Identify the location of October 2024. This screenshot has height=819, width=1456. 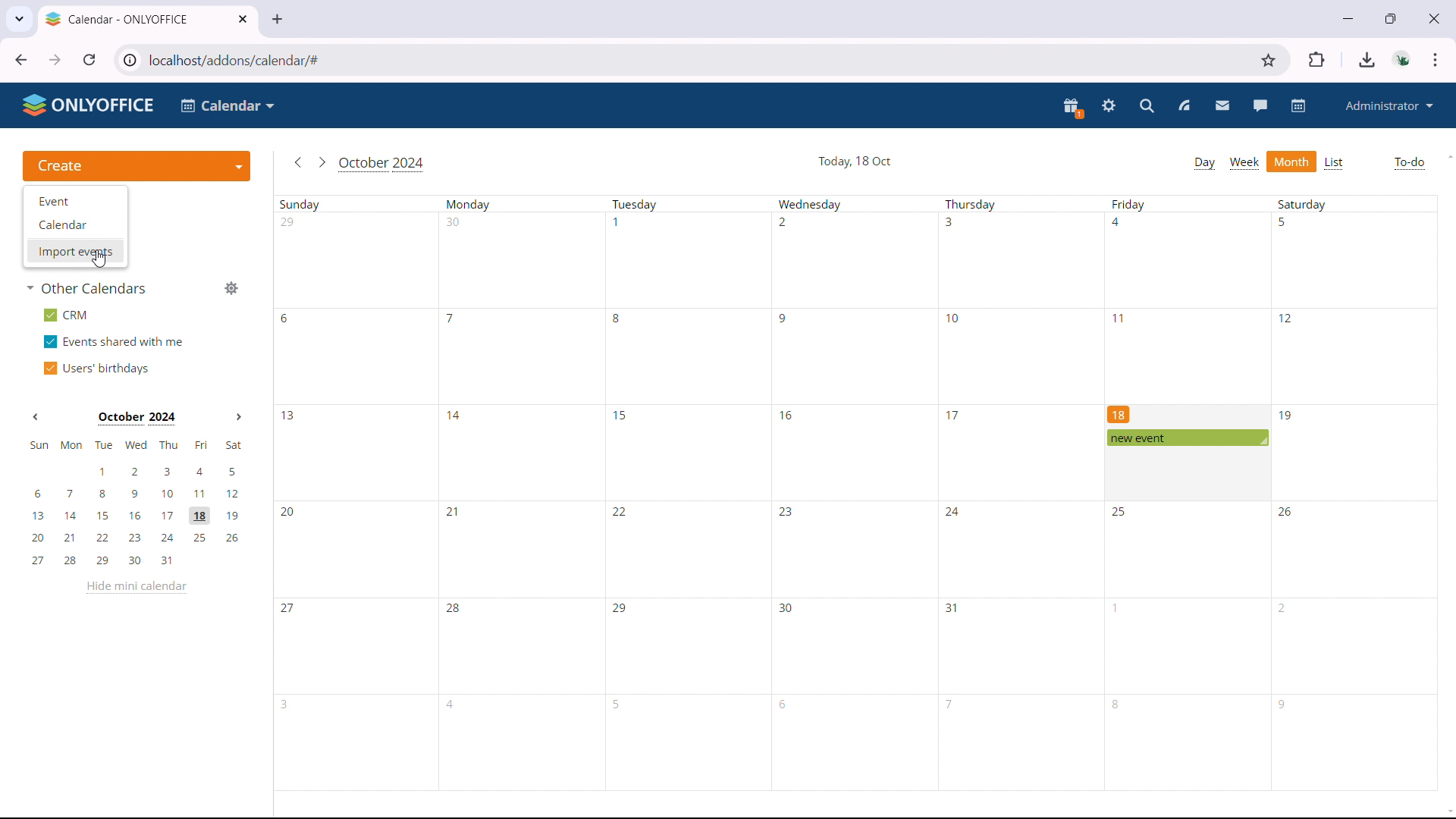
(136, 419).